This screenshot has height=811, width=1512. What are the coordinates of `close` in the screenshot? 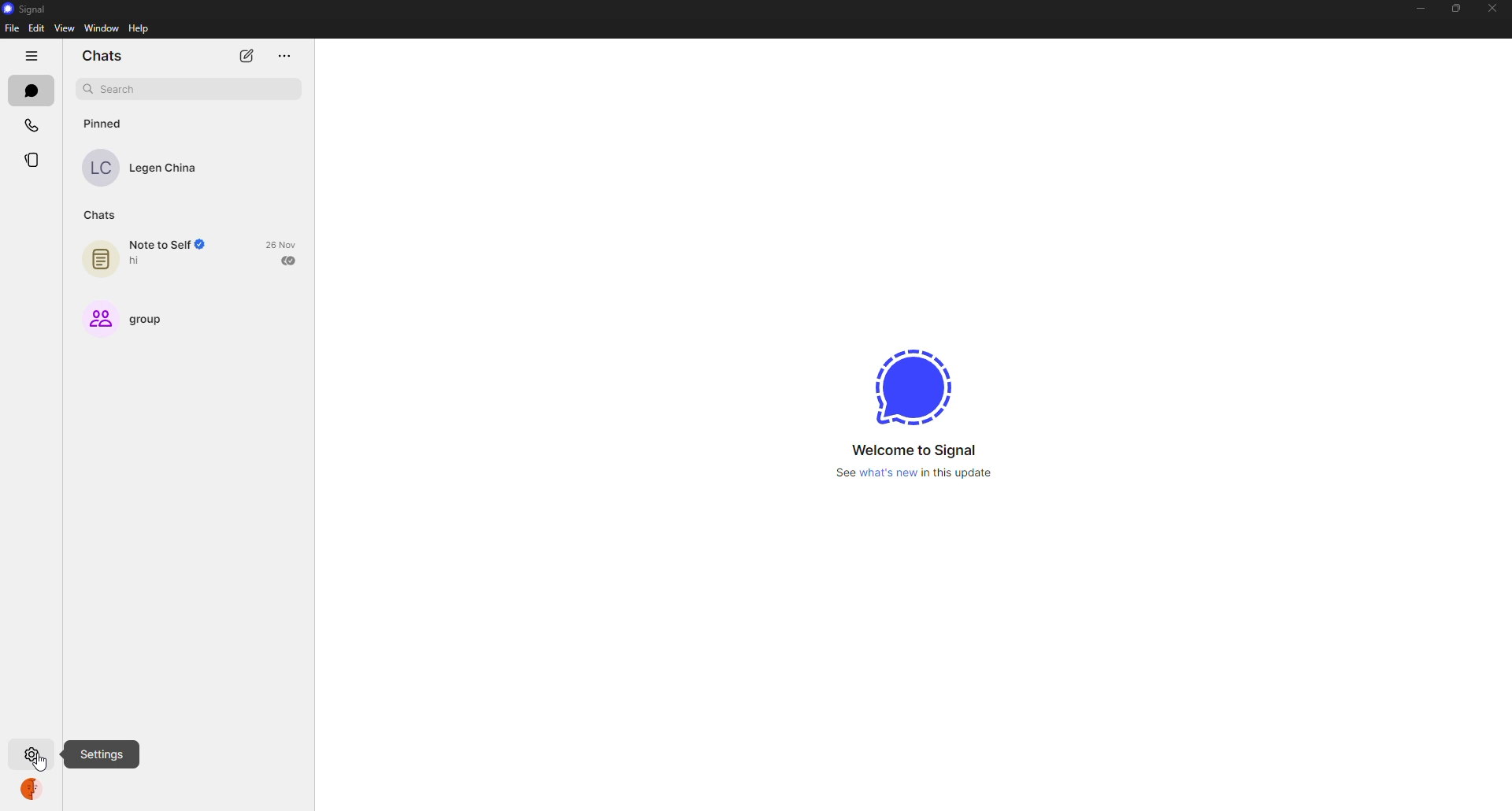 It's located at (1494, 9).